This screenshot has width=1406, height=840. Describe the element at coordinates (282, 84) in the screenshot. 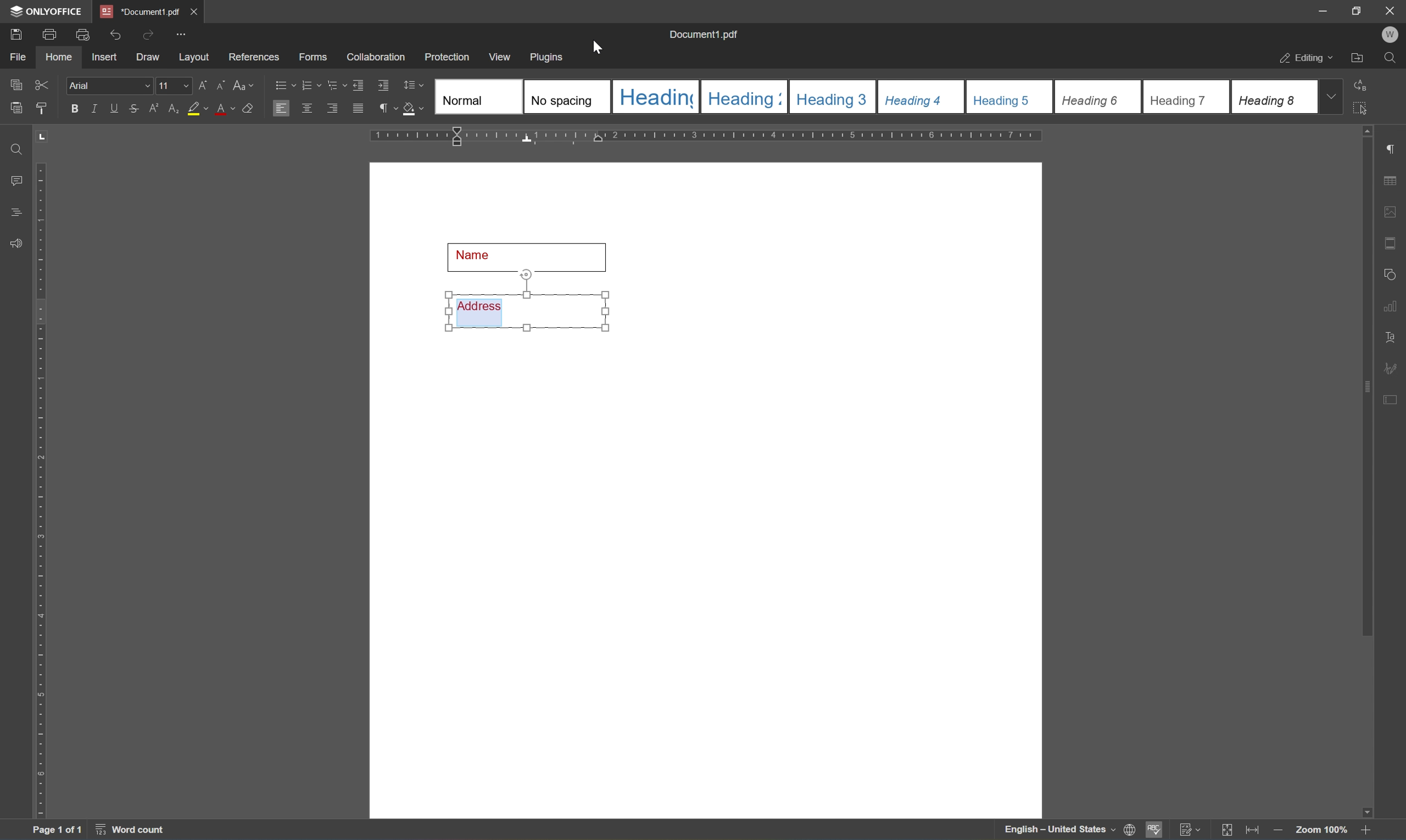

I see `bullets` at that location.